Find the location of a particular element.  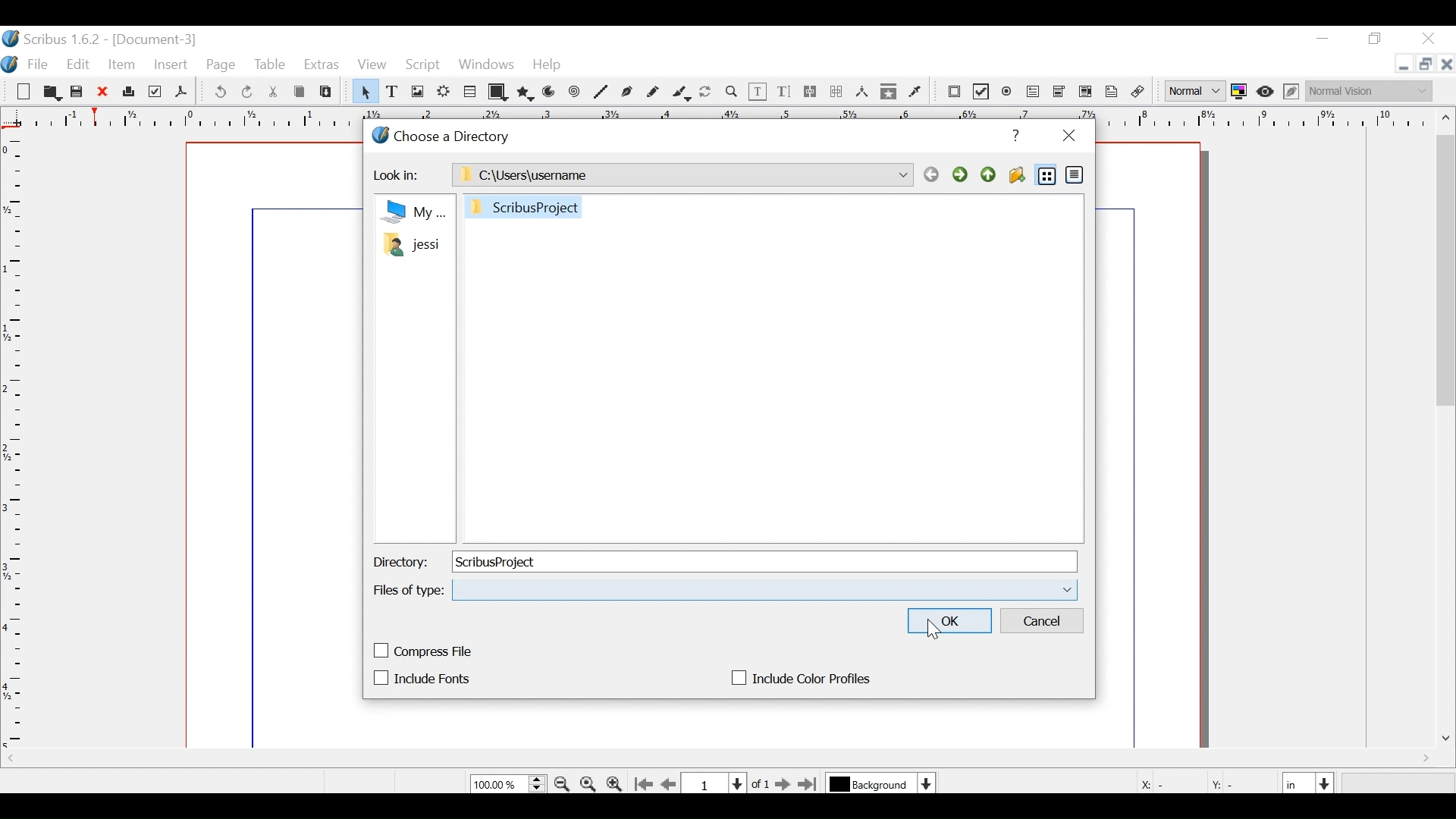

Zoom in / out is located at coordinates (731, 91).